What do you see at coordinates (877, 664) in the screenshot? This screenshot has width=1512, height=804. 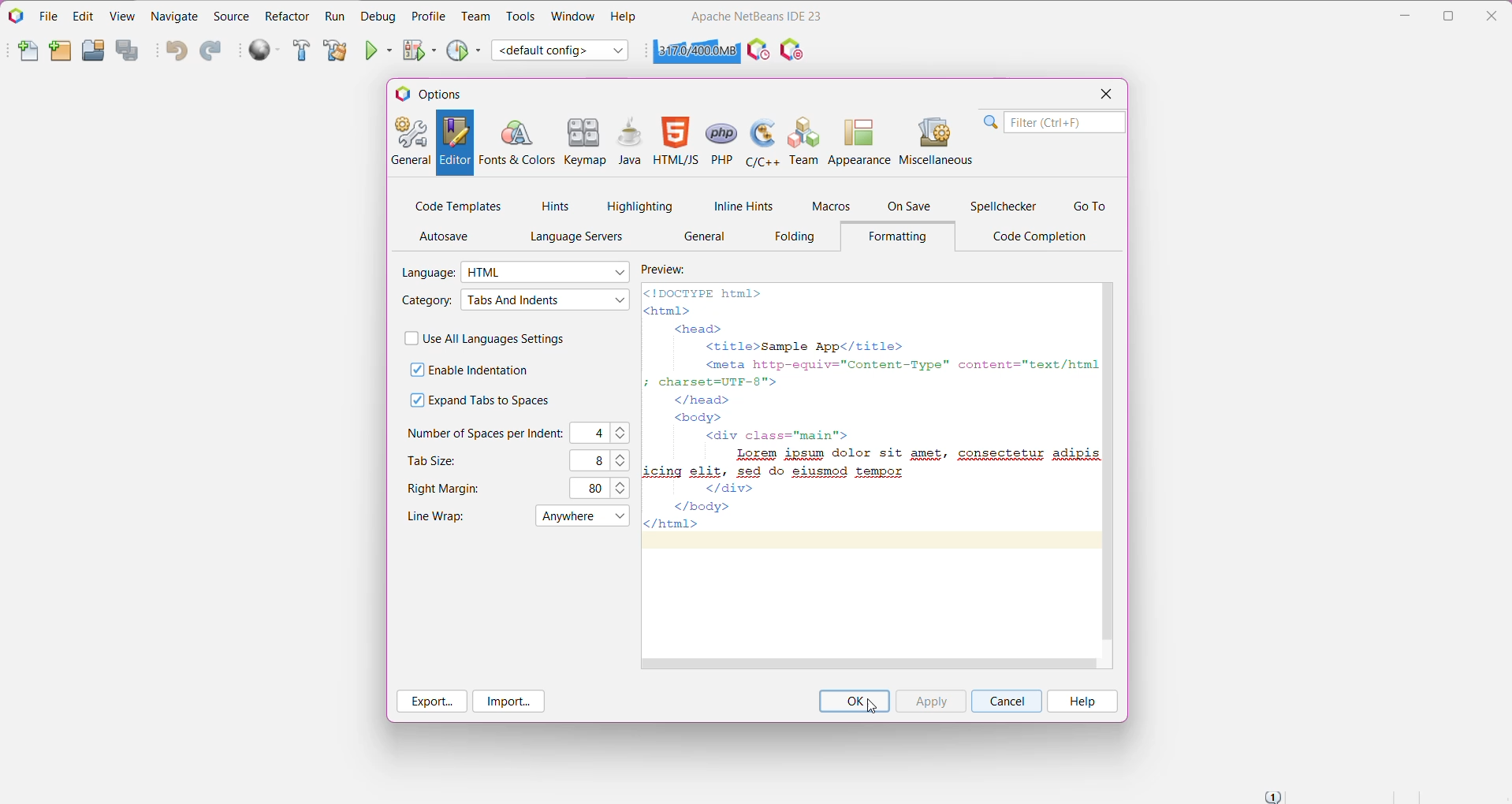 I see `Horizontal Scroll Bar` at bounding box center [877, 664].